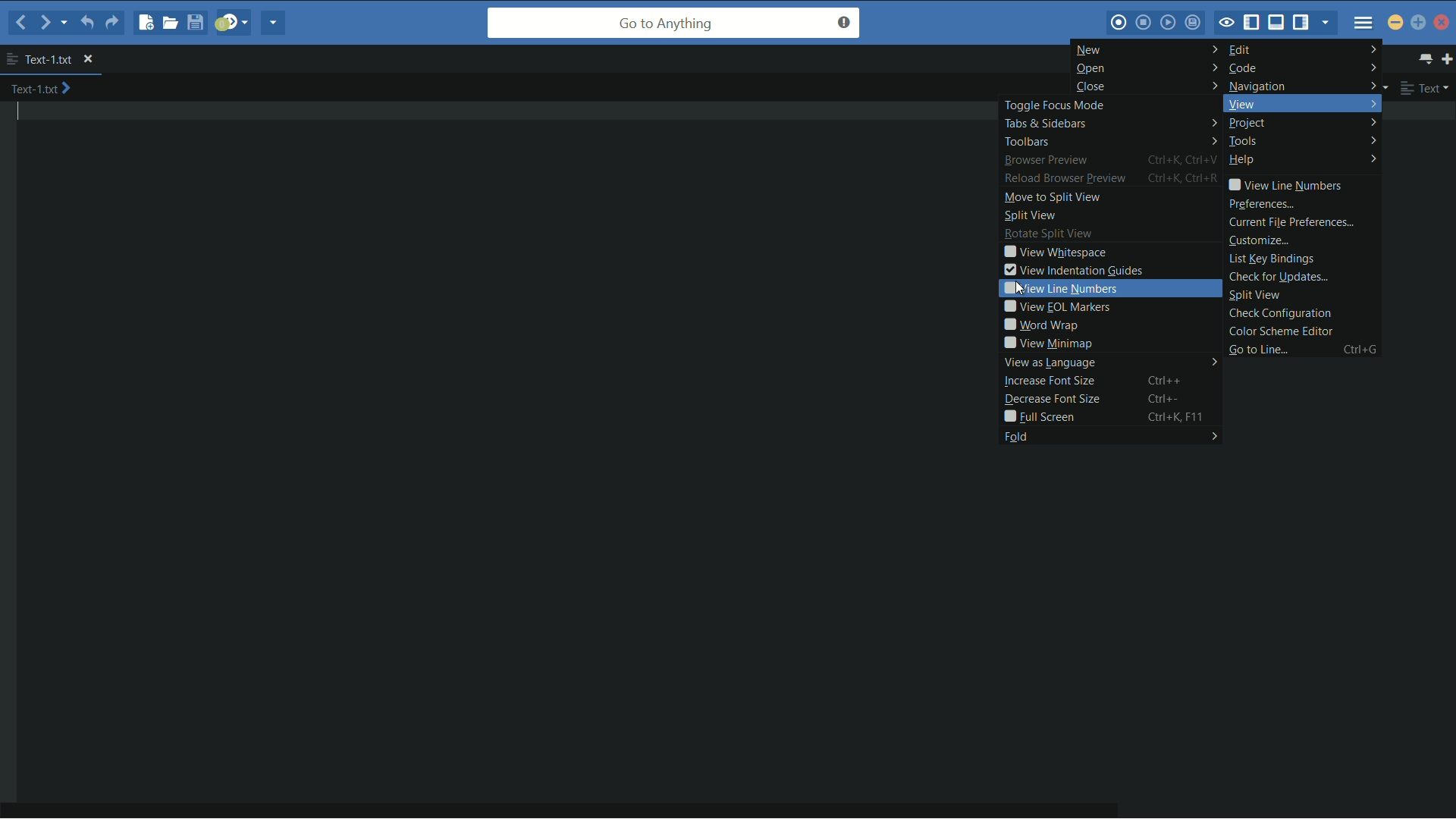  Describe the element at coordinates (1181, 158) in the screenshot. I see `Ctrl+K, Ctrl+V` at that location.